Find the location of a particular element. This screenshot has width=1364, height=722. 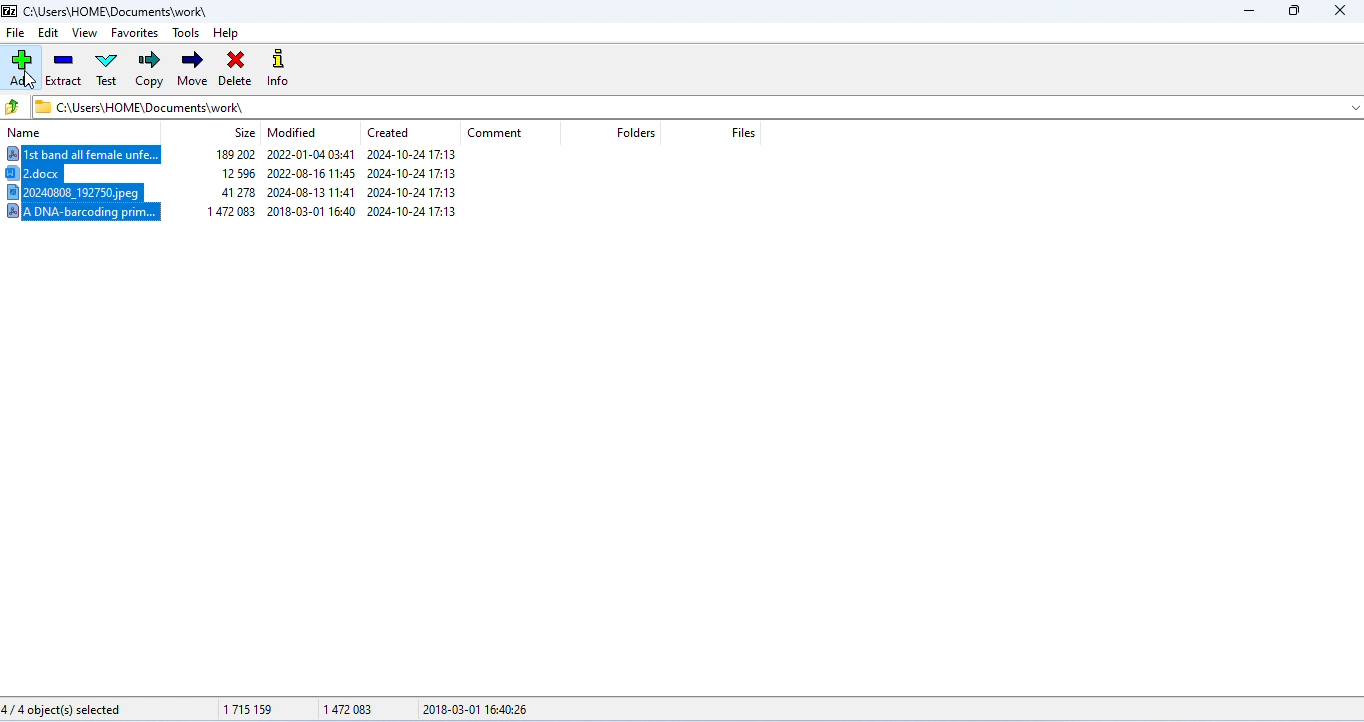

extract is located at coordinates (63, 69).